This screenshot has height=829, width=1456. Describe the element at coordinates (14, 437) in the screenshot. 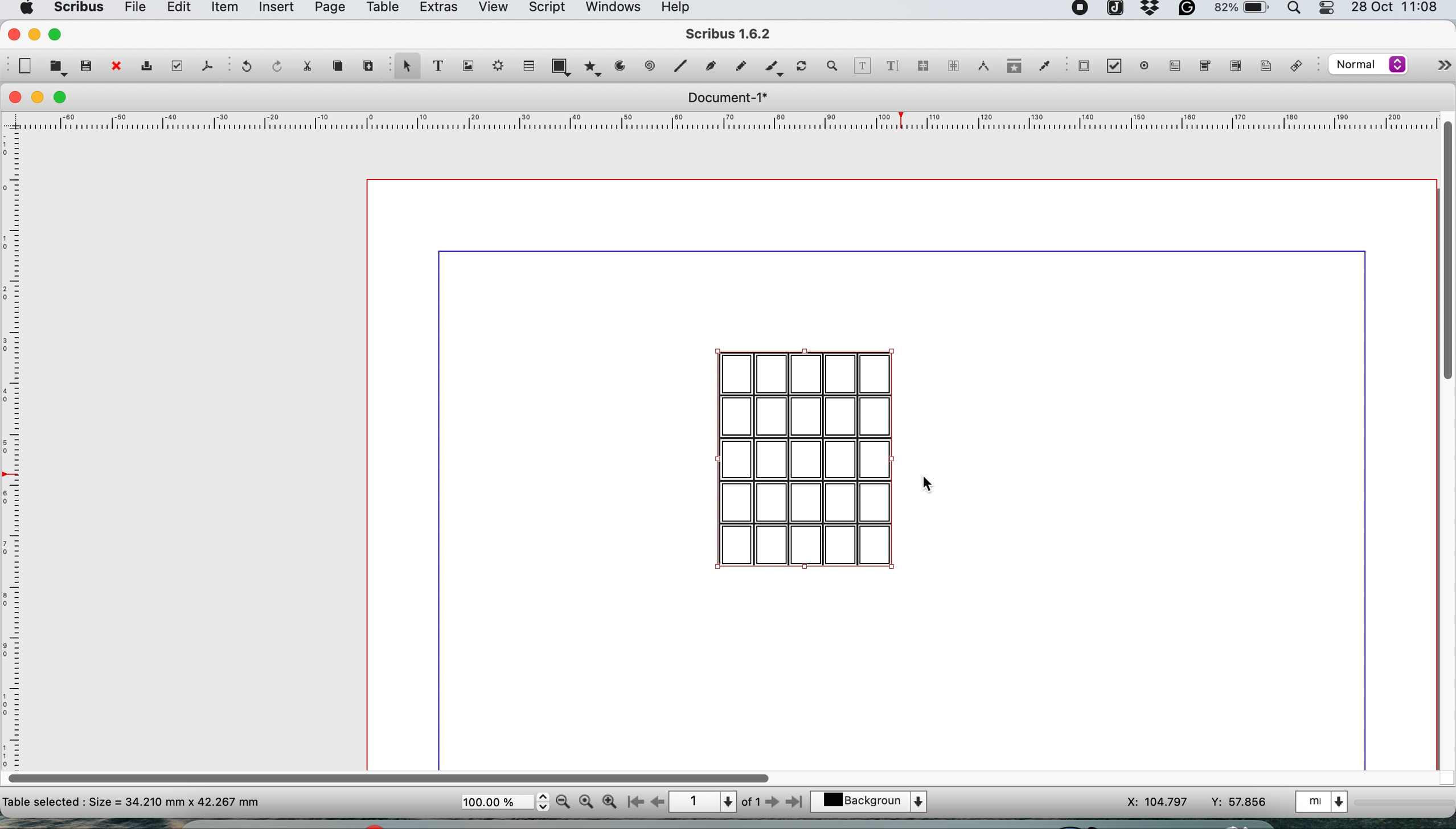

I see `vertical scale` at that location.